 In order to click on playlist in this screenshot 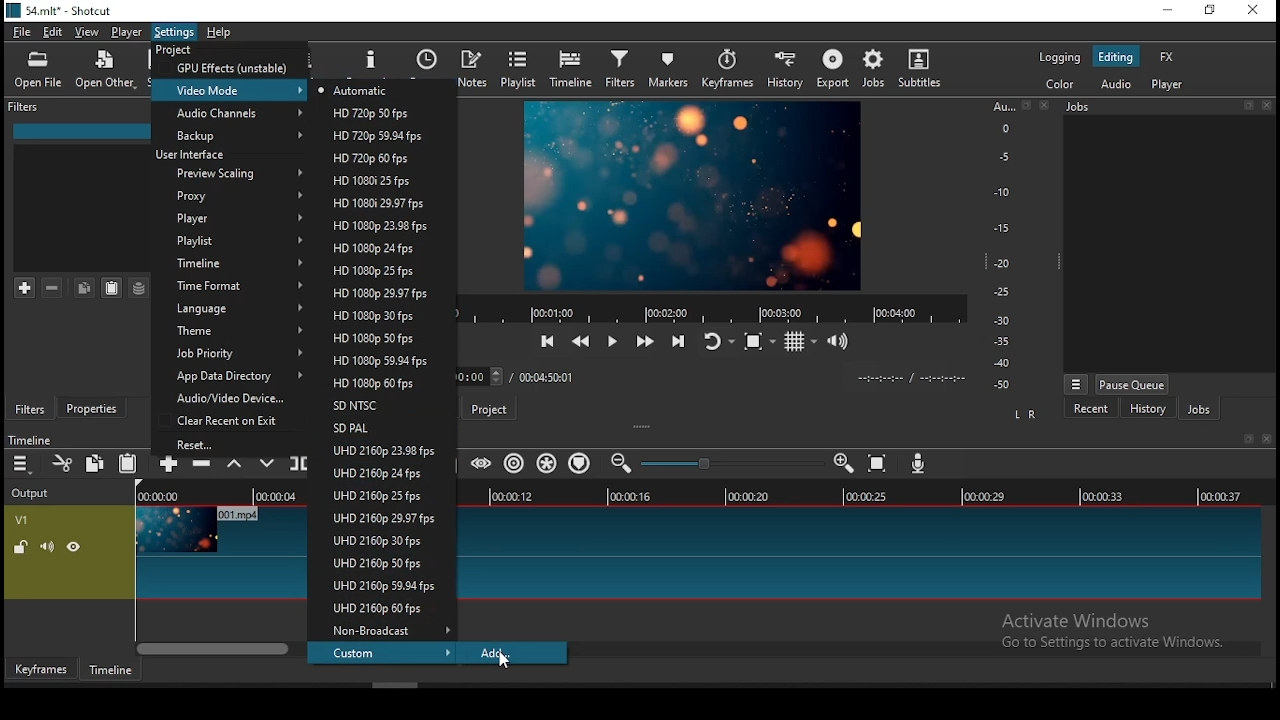, I will do `click(520, 68)`.